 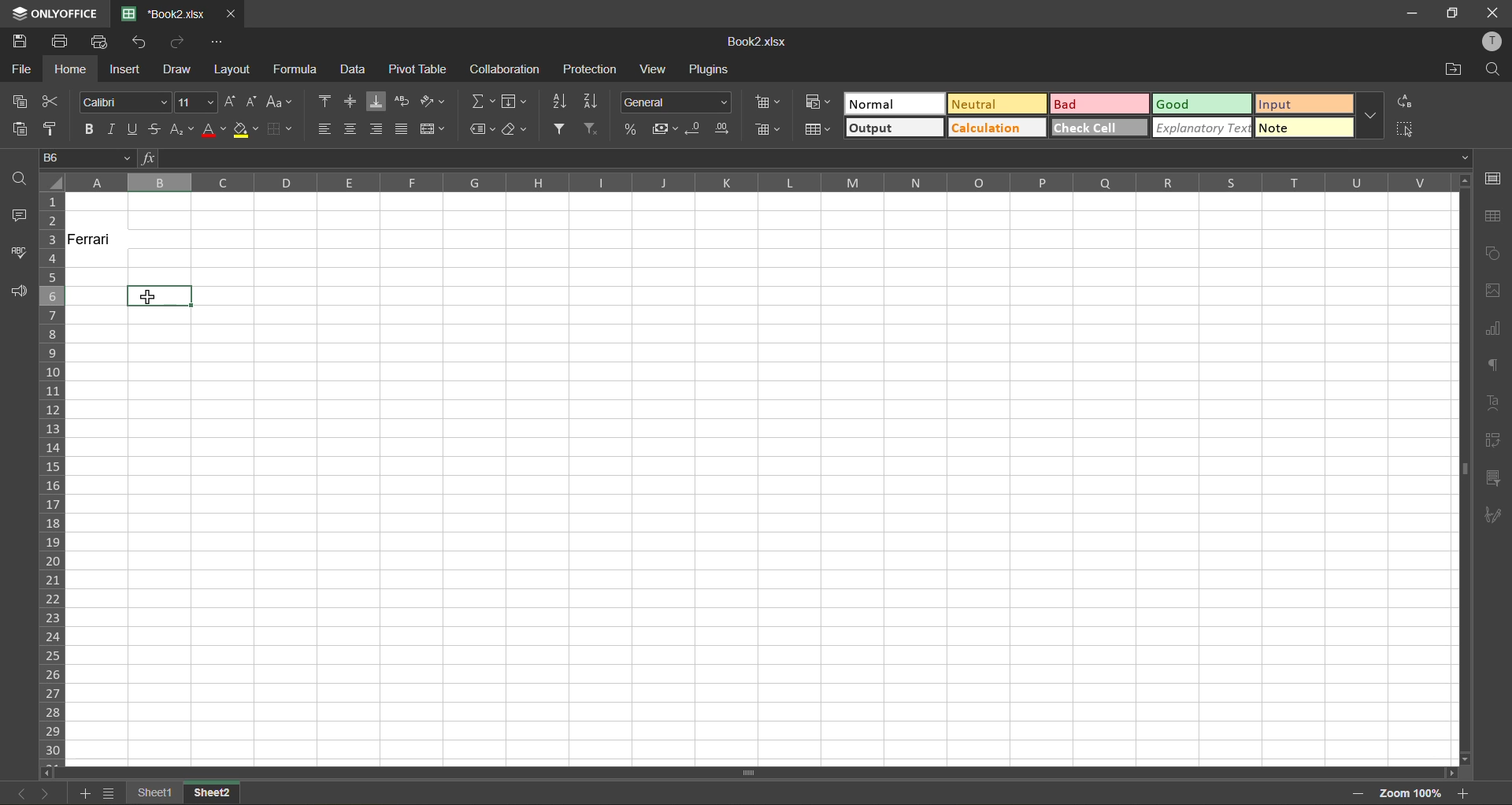 I want to click on plugins, so click(x=711, y=69).